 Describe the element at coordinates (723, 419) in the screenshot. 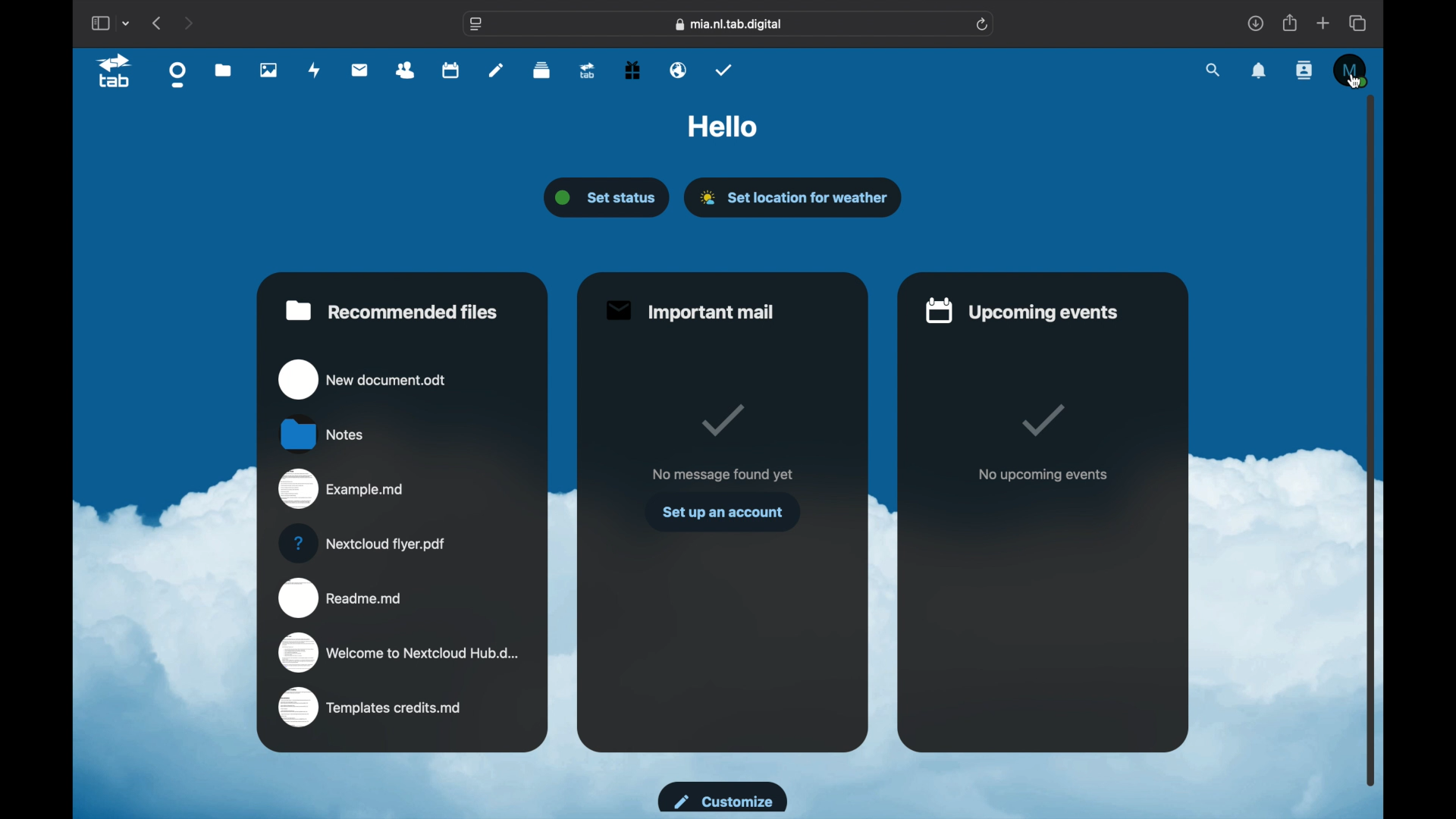

I see `tick mark` at that location.